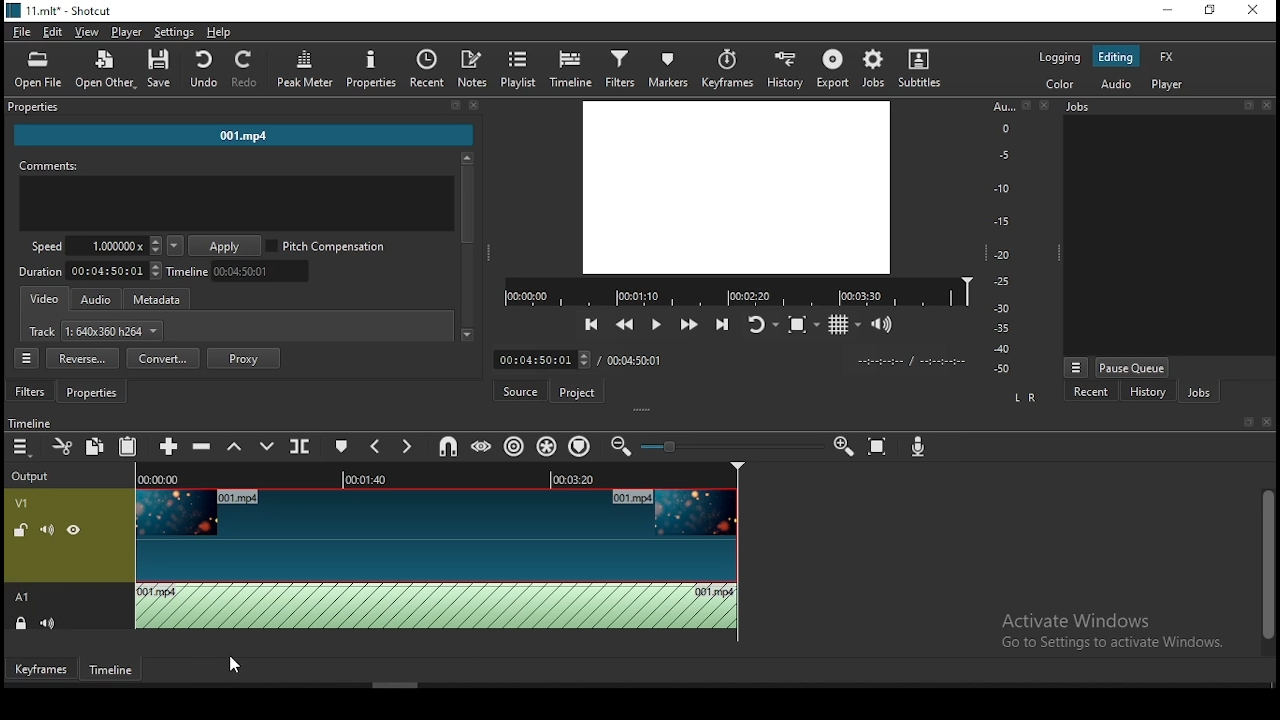 The image size is (1280, 720). Describe the element at coordinates (438, 606) in the screenshot. I see `audio track` at that location.